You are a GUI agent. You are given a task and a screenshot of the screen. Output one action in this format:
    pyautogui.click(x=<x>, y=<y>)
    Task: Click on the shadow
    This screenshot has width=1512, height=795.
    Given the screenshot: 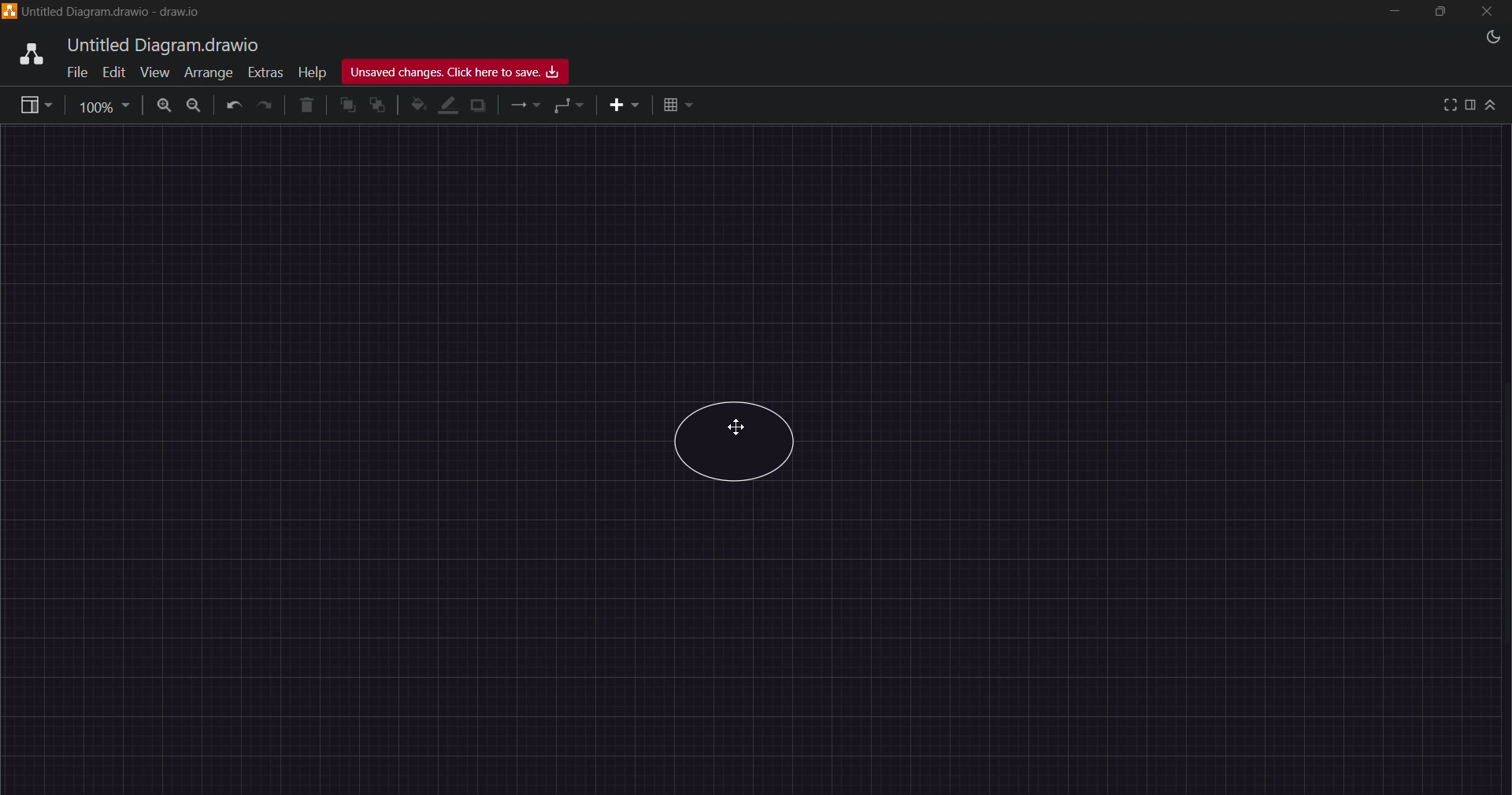 What is the action you would take?
    pyautogui.click(x=481, y=105)
    